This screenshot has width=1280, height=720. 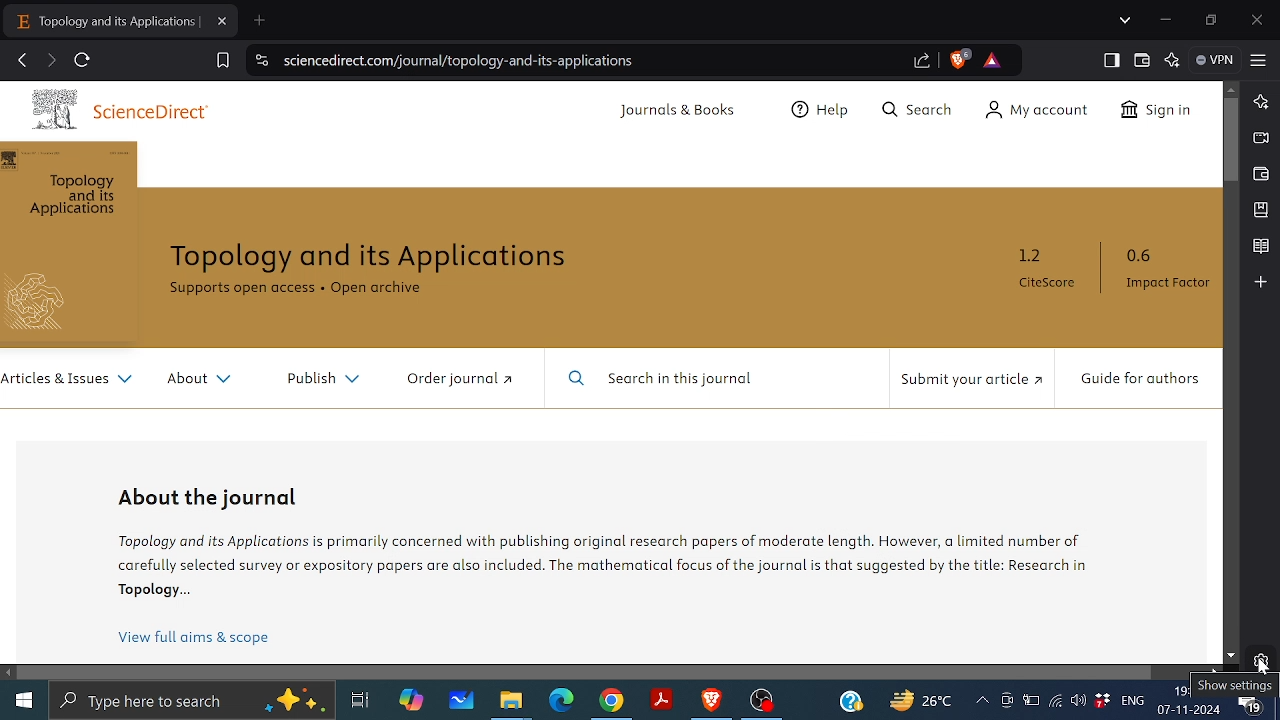 I want to click on Meet now, so click(x=1008, y=706).